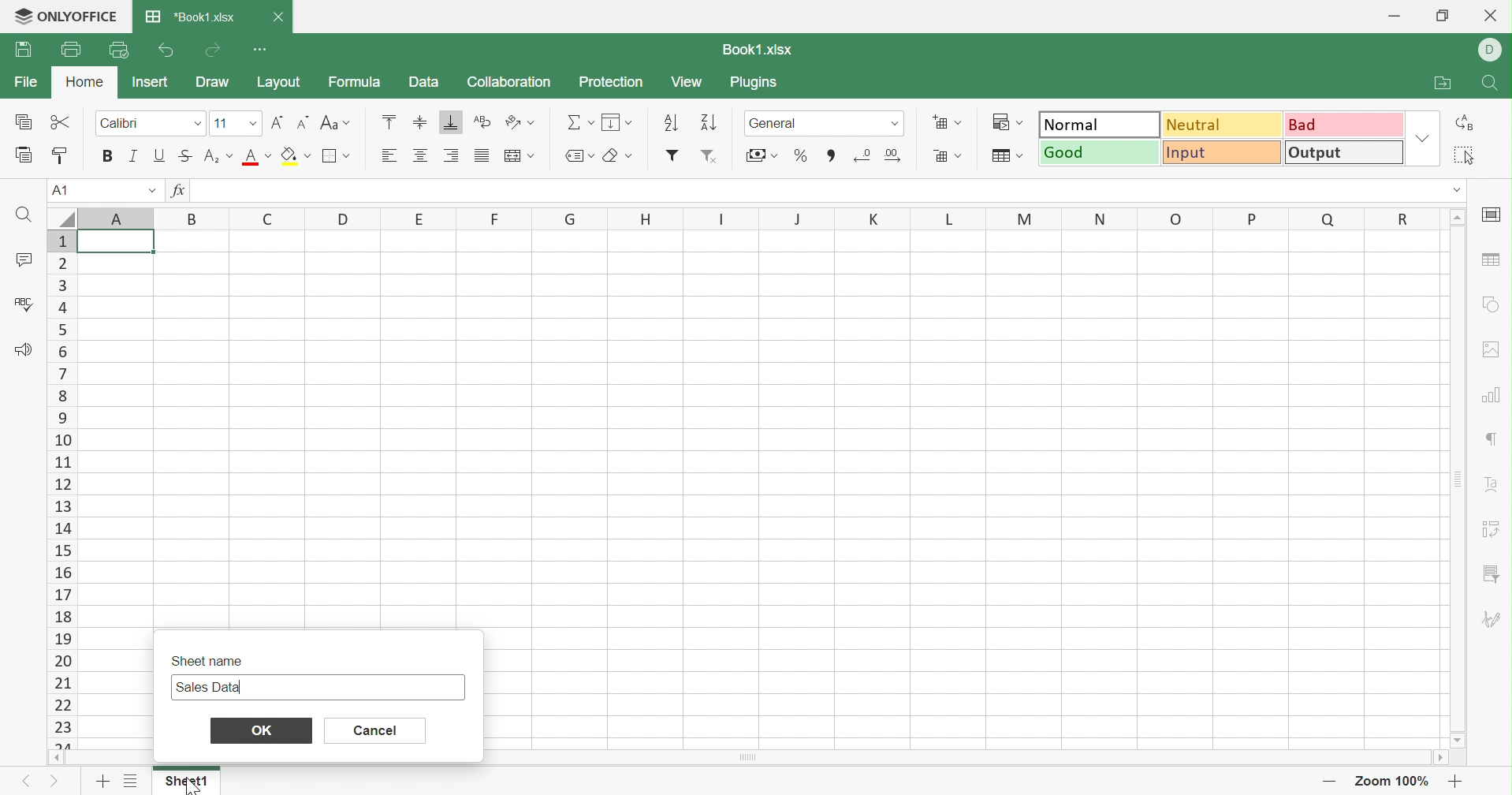  Describe the element at coordinates (619, 121) in the screenshot. I see `Fill` at that location.